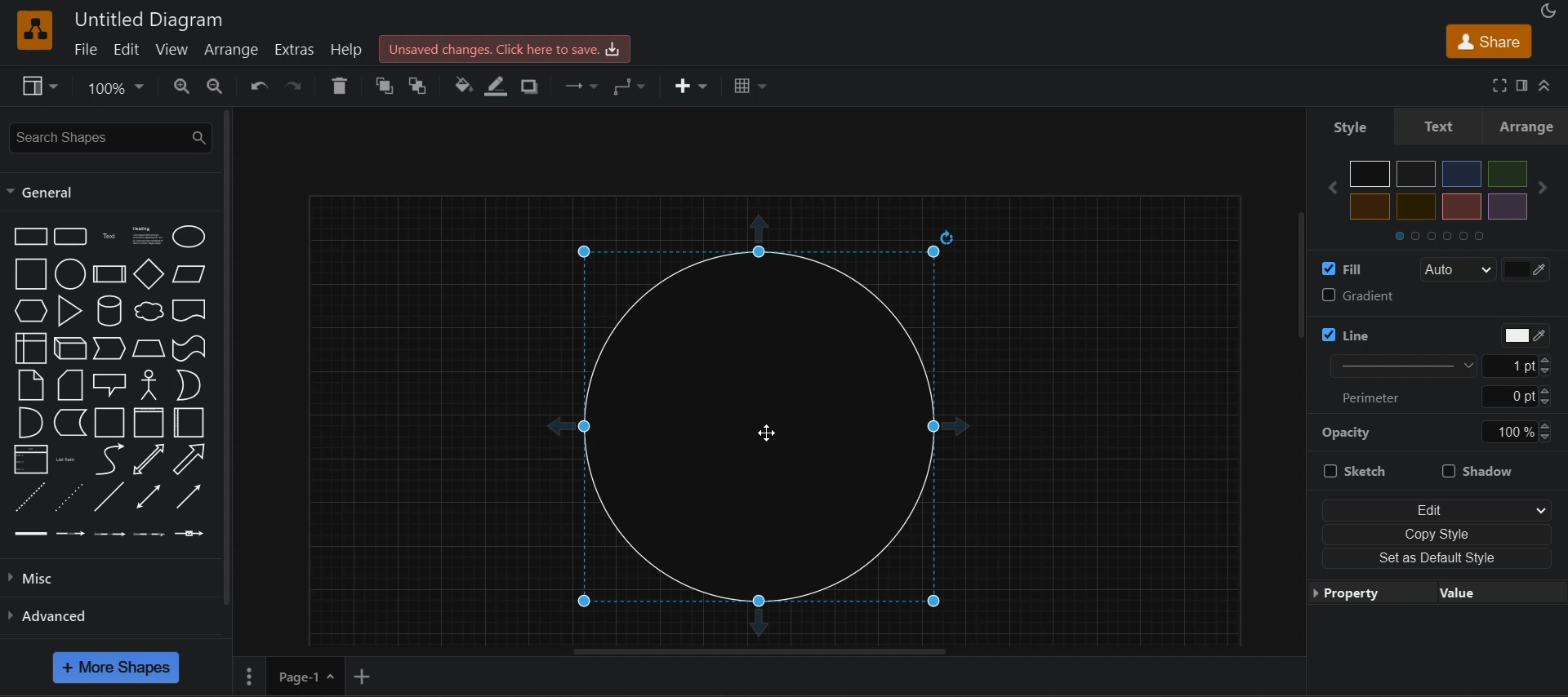 This screenshot has width=1568, height=697. I want to click on logo, so click(33, 30).